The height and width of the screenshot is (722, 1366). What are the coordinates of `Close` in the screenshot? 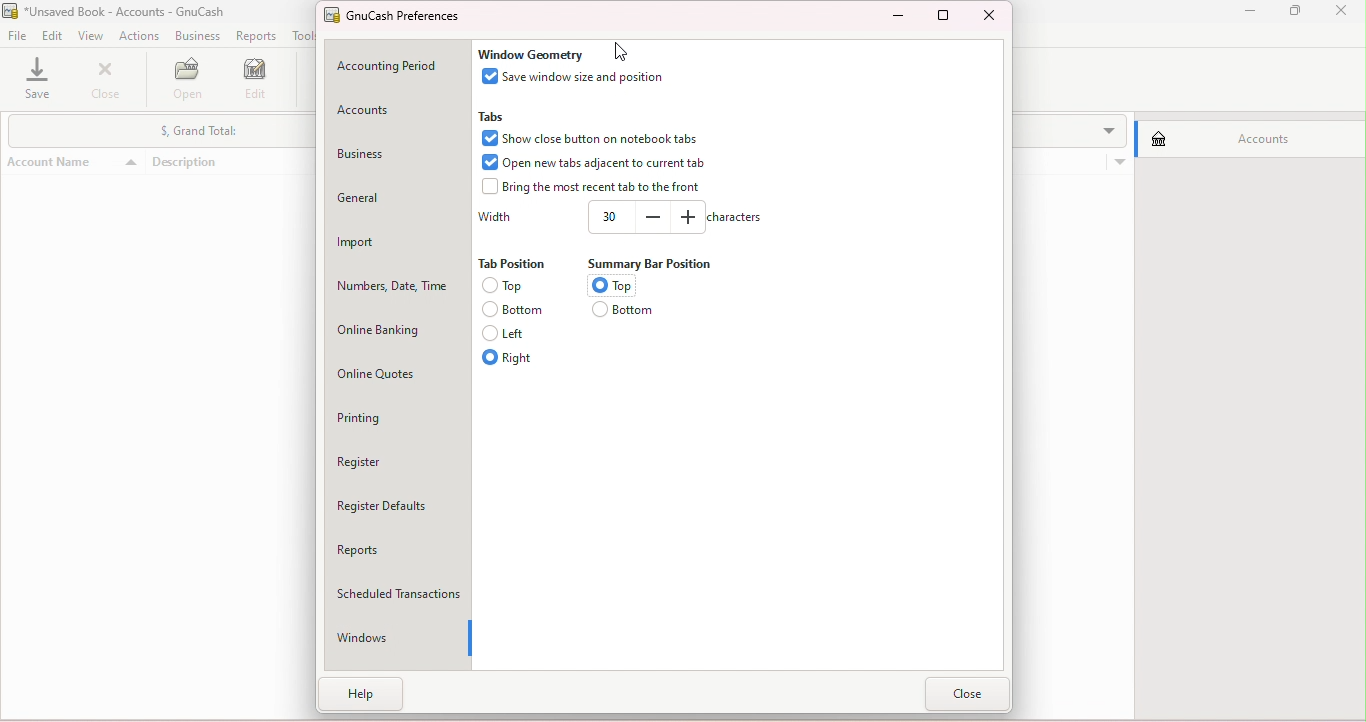 It's located at (991, 15).